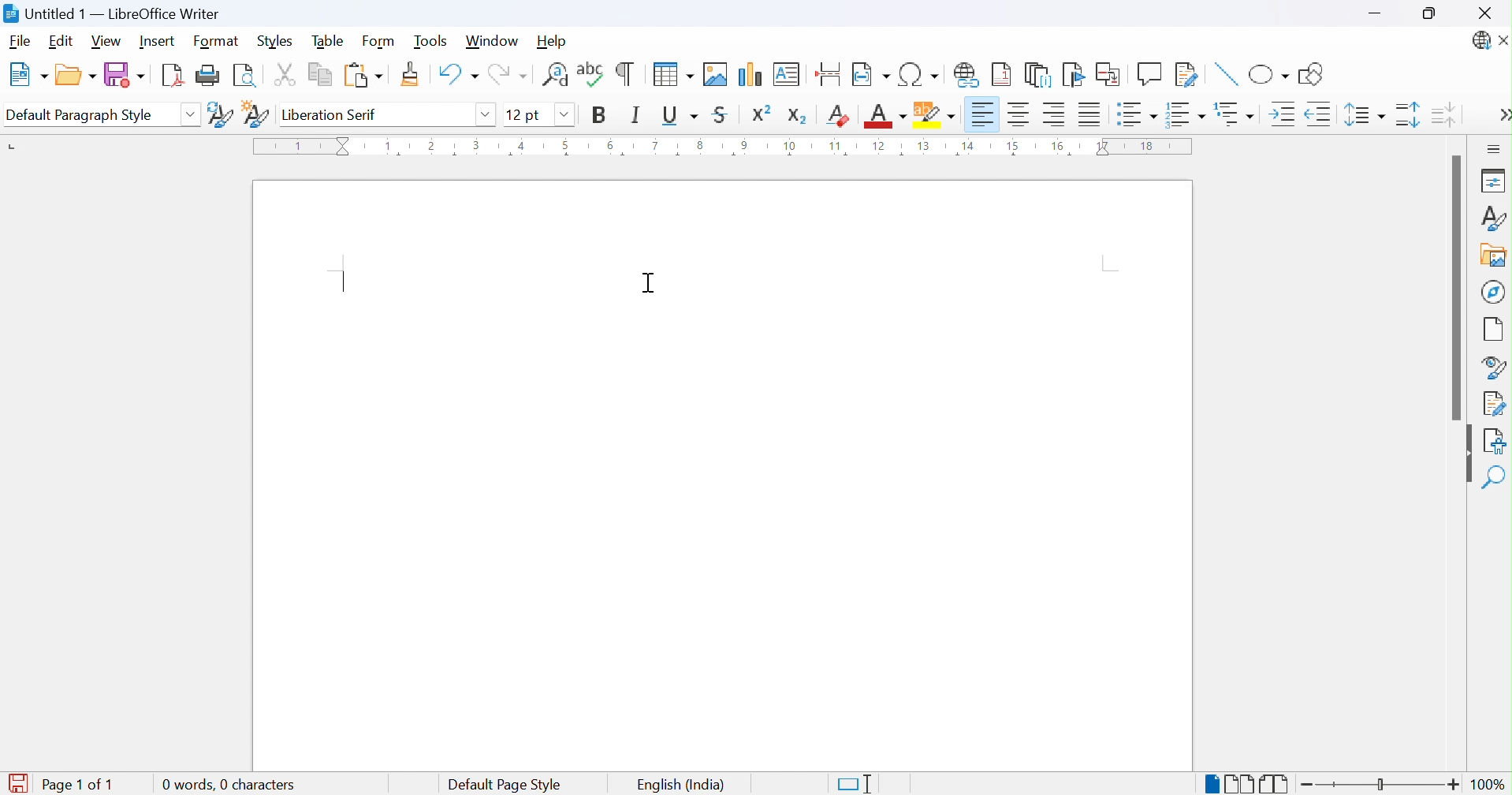 Image resolution: width=1512 pixels, height=795 pixels. I want to click on Restore down, so click(1432, 15).